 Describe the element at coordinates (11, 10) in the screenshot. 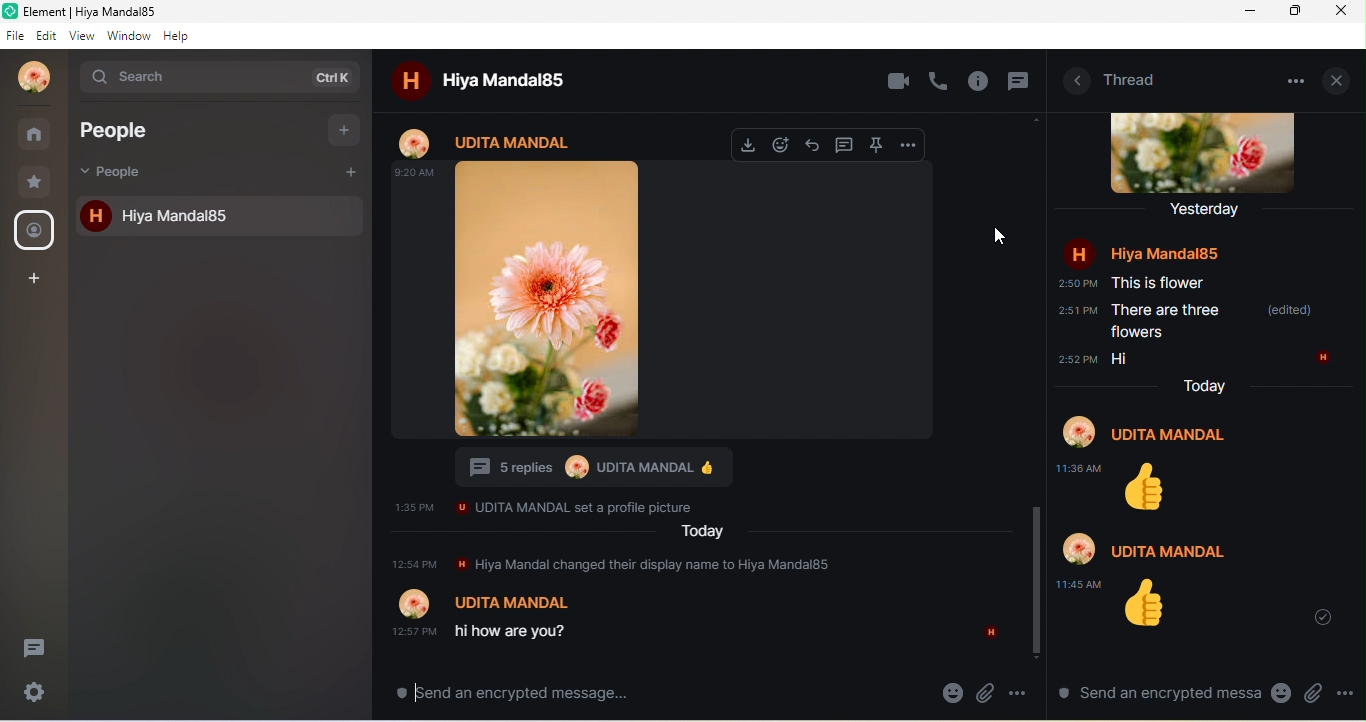

I see `Logo` at that location.